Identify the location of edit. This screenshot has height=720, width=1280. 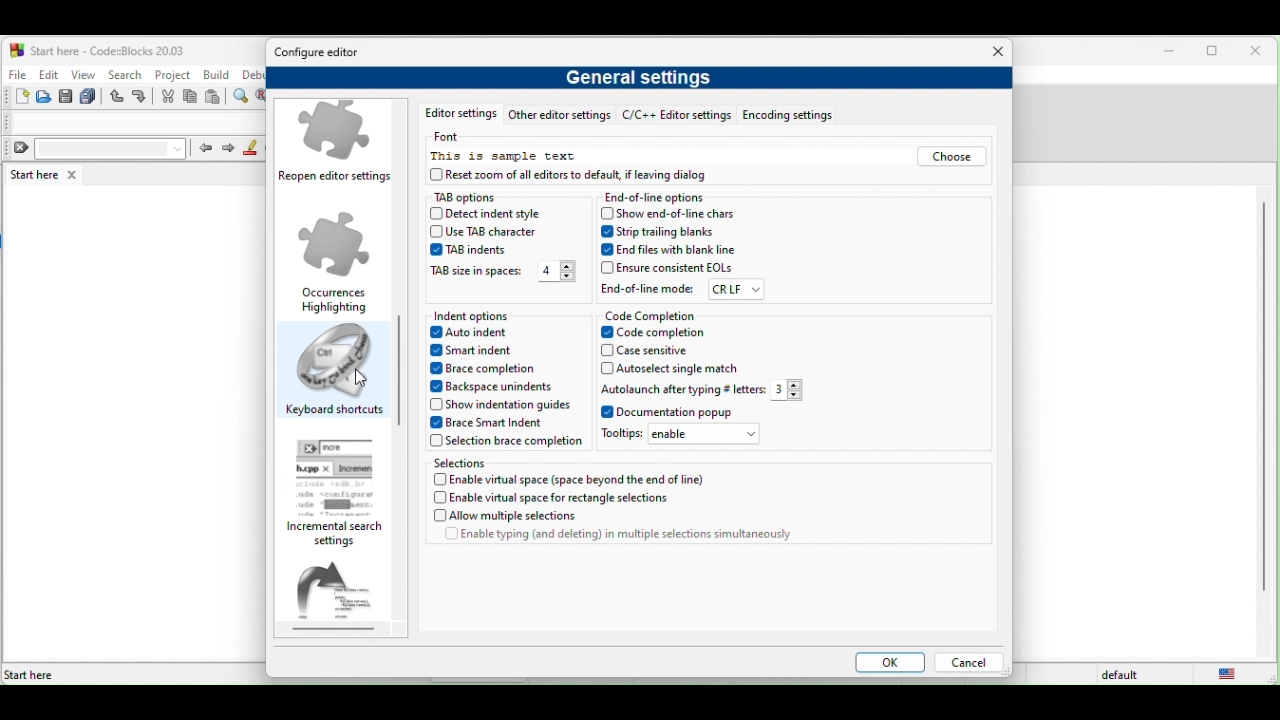
(48, 74).